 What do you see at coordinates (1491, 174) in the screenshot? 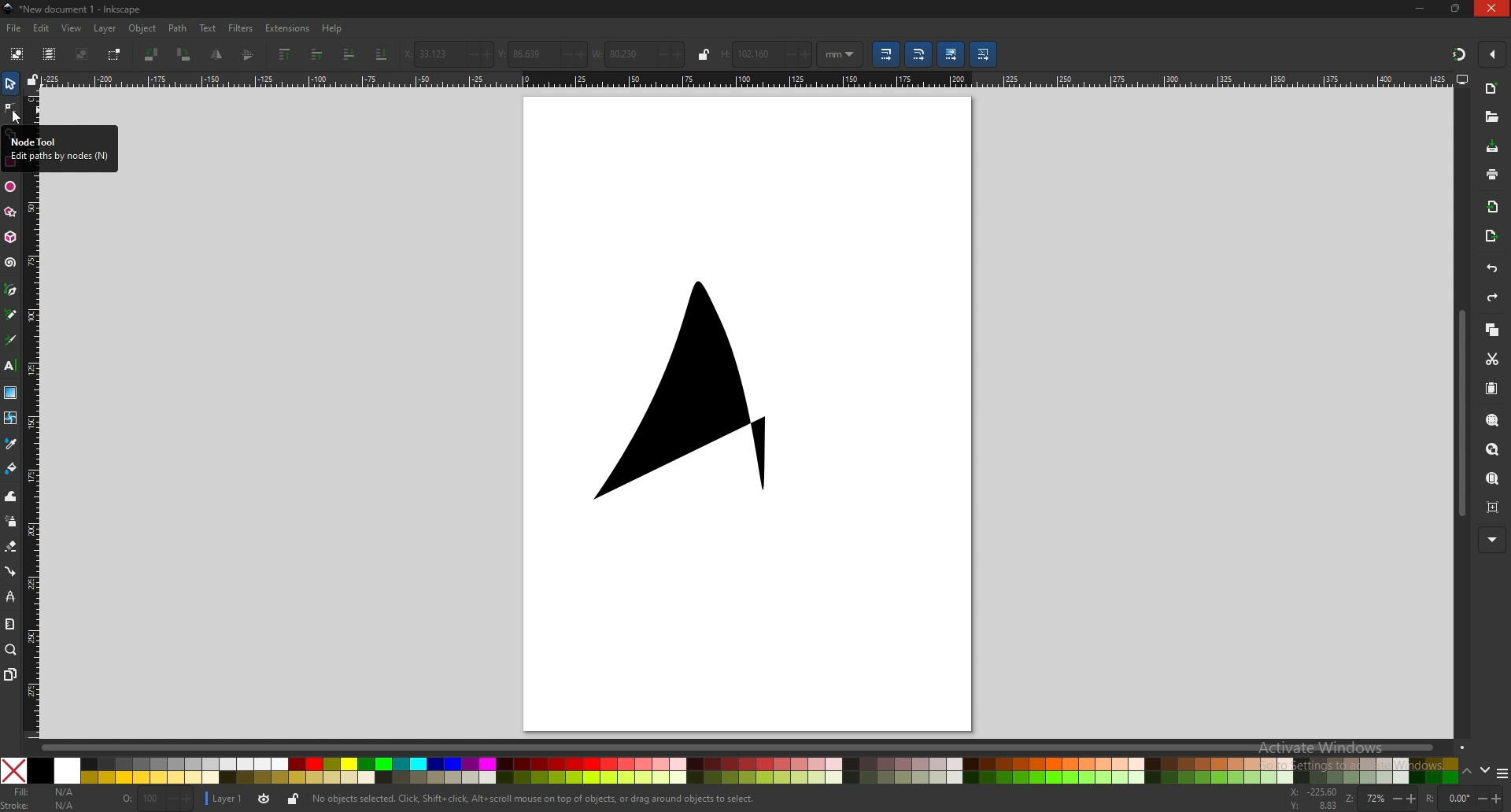
I see `print` at bounding box center [1491, 174].